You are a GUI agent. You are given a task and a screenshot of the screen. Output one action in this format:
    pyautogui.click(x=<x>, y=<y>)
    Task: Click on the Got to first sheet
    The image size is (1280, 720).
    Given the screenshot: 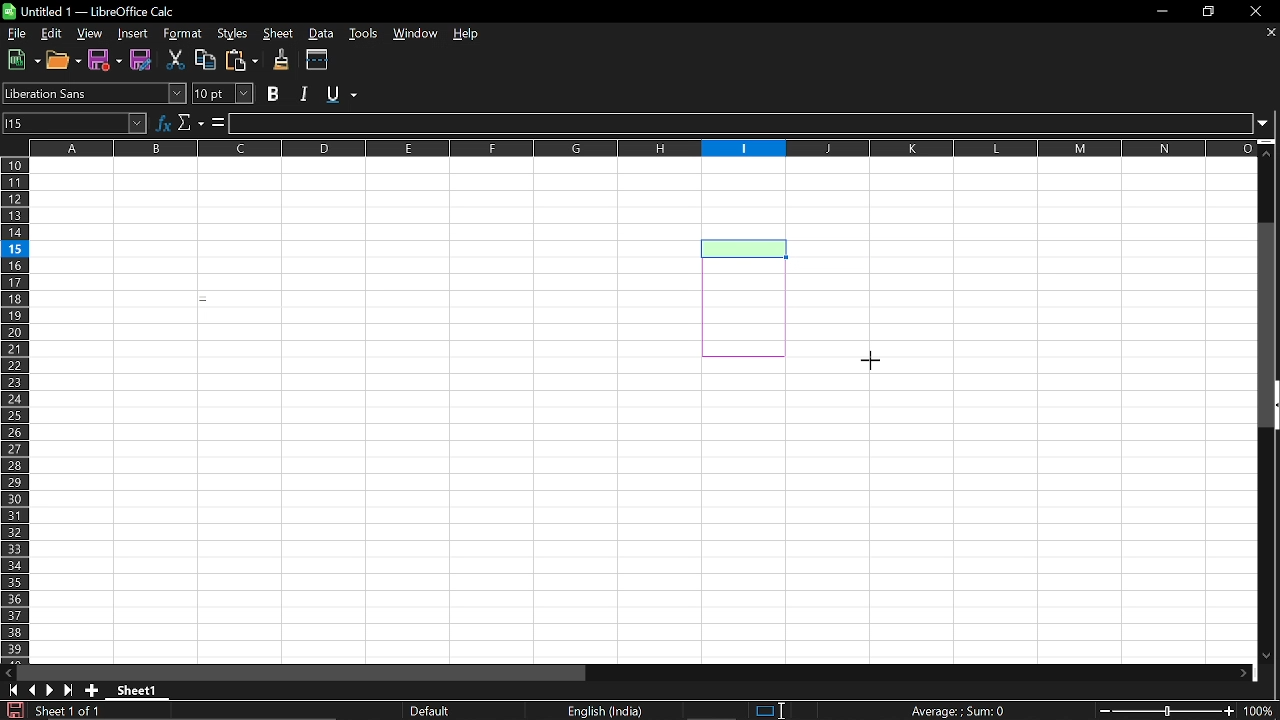 What is the action you would take?
    pyautogui.click(x=14, y=690)
    